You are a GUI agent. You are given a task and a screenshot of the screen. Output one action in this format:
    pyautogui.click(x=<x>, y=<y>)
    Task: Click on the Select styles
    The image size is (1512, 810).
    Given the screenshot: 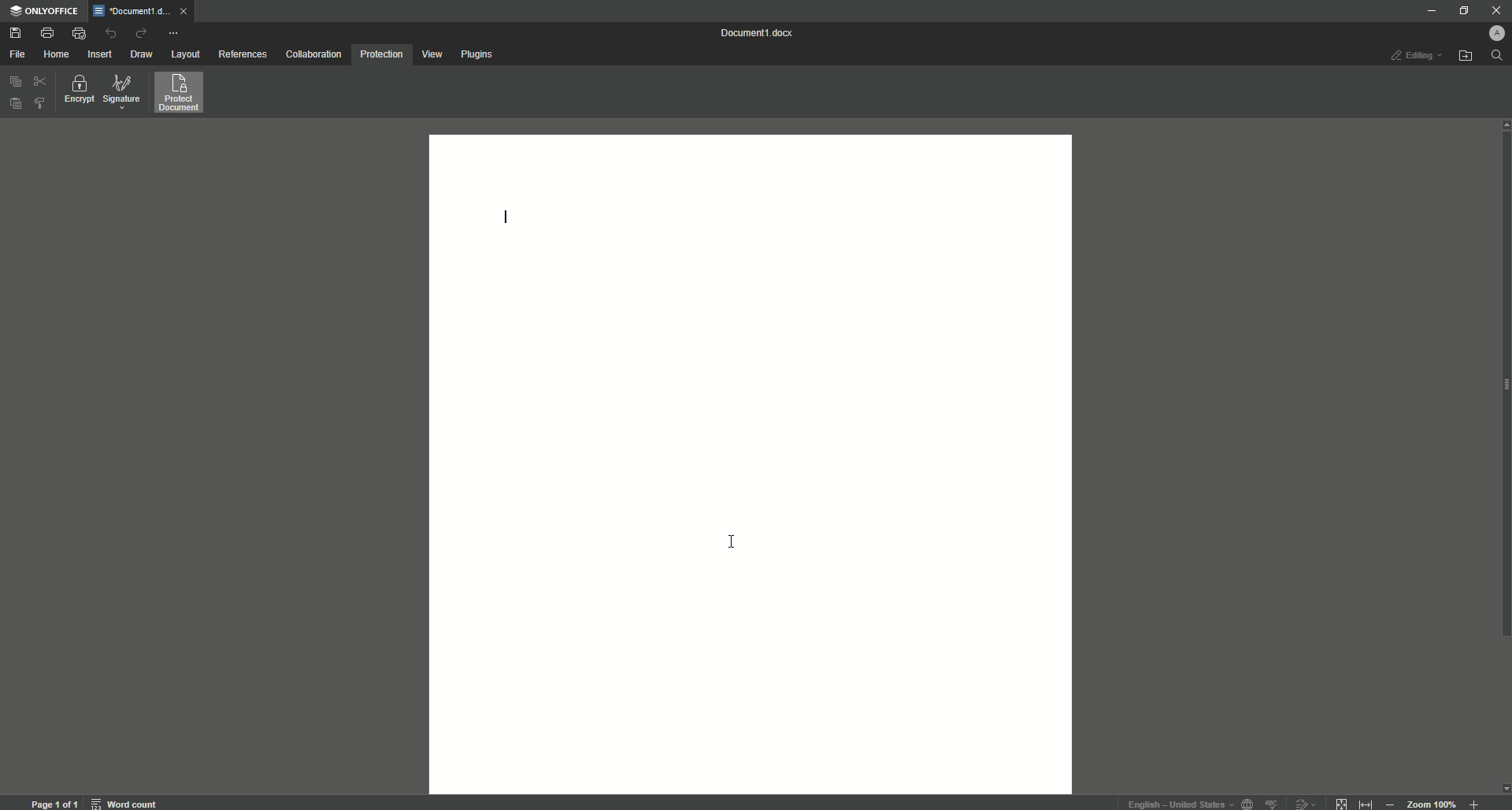 What is the action you would take?
    pyautogui.click(x=39, y=105)
    